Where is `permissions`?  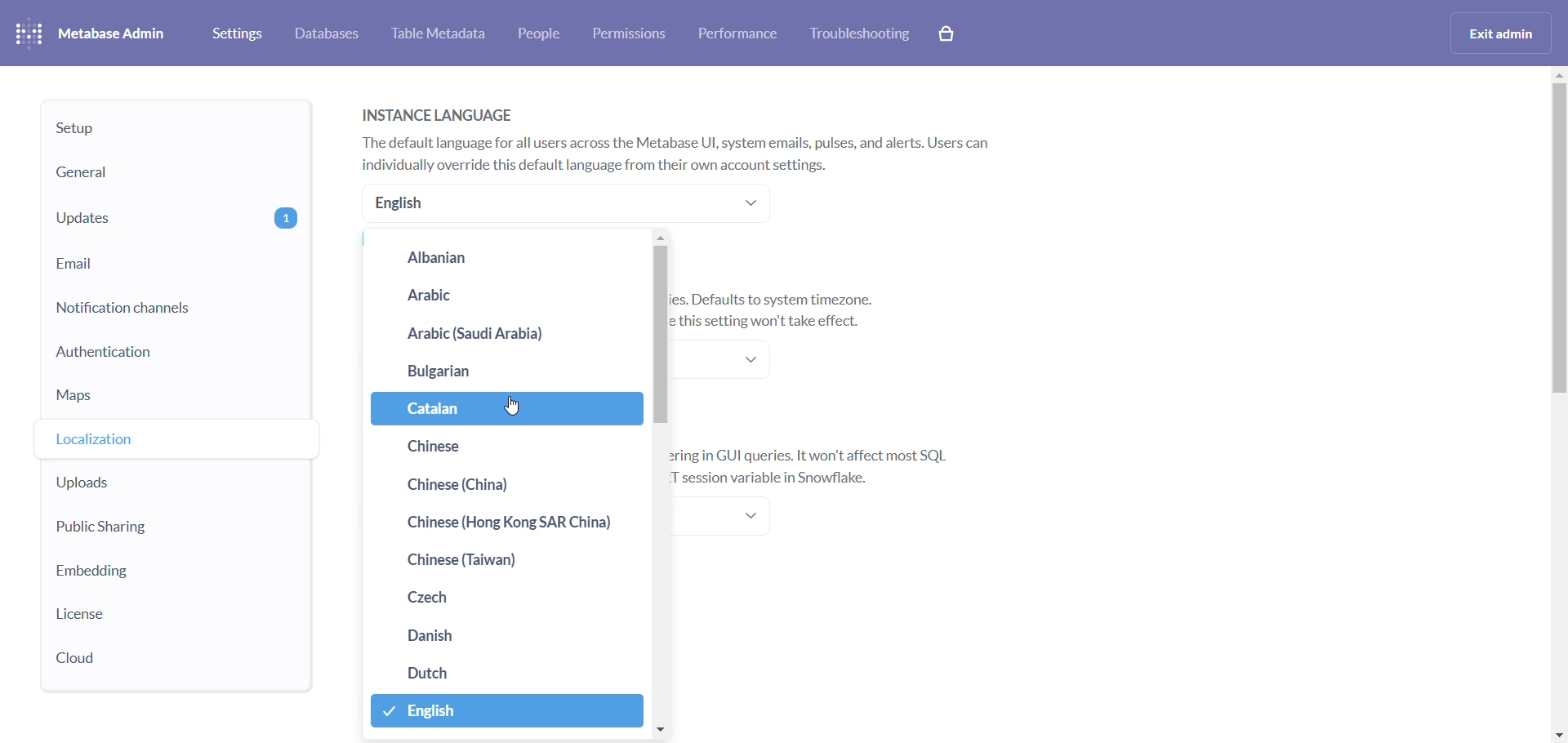 permissions is located at coordinates (633, 34).